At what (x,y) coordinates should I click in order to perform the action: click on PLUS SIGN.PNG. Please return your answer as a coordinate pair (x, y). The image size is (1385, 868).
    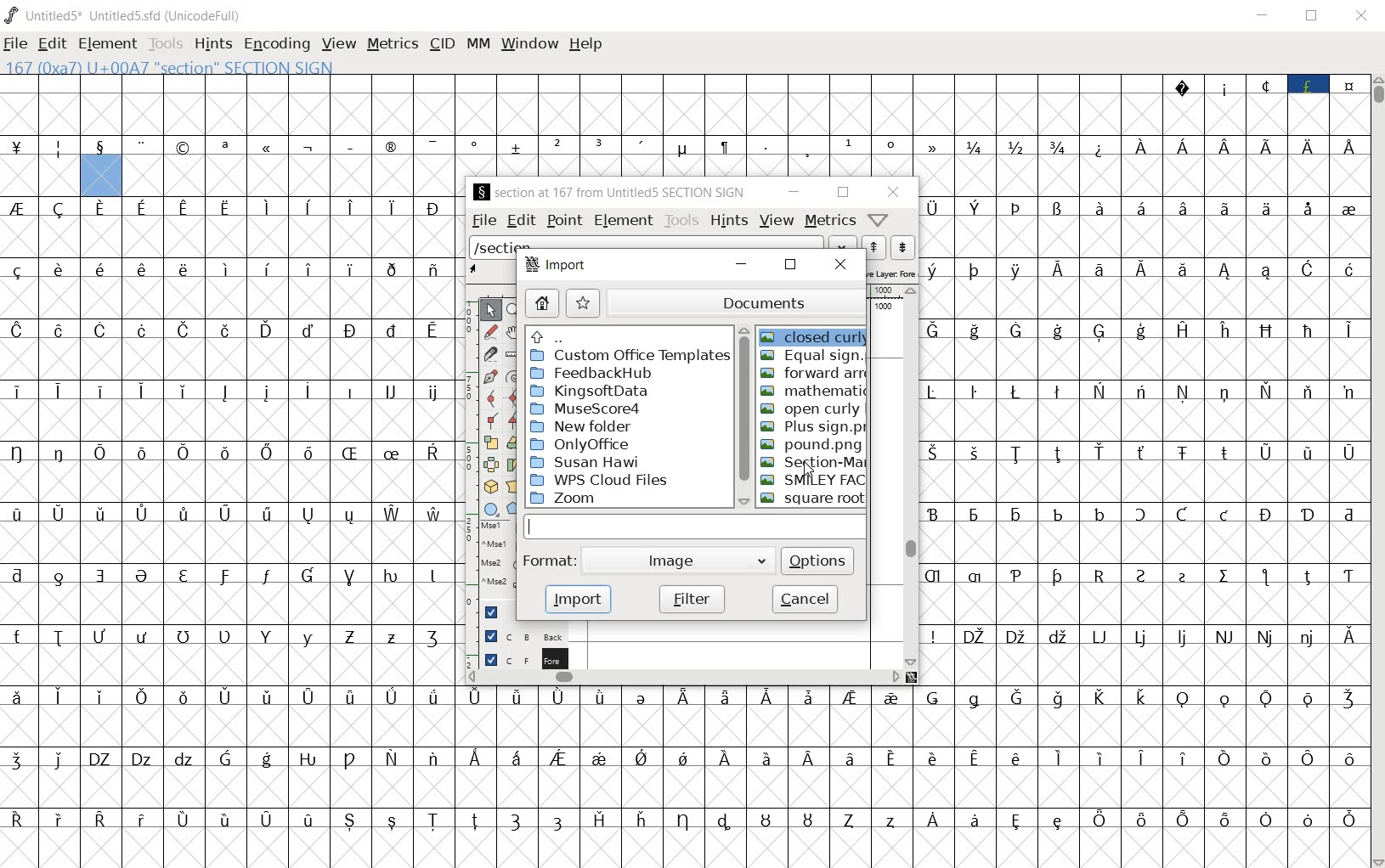
    Looking at the image, I should click on (812, 428).